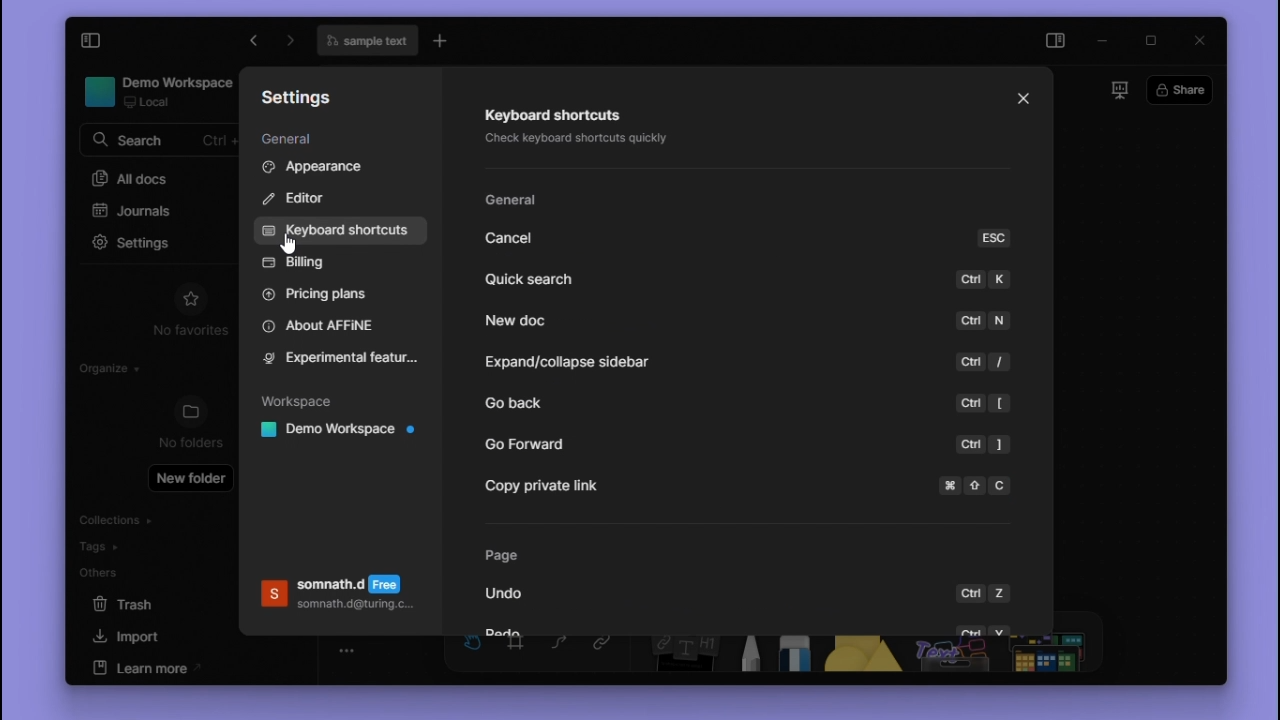 This screenshot has width=1280, height=720. Describe the element at coordinates (529, 281) in the screenshot. I see `Quick search` at that location.